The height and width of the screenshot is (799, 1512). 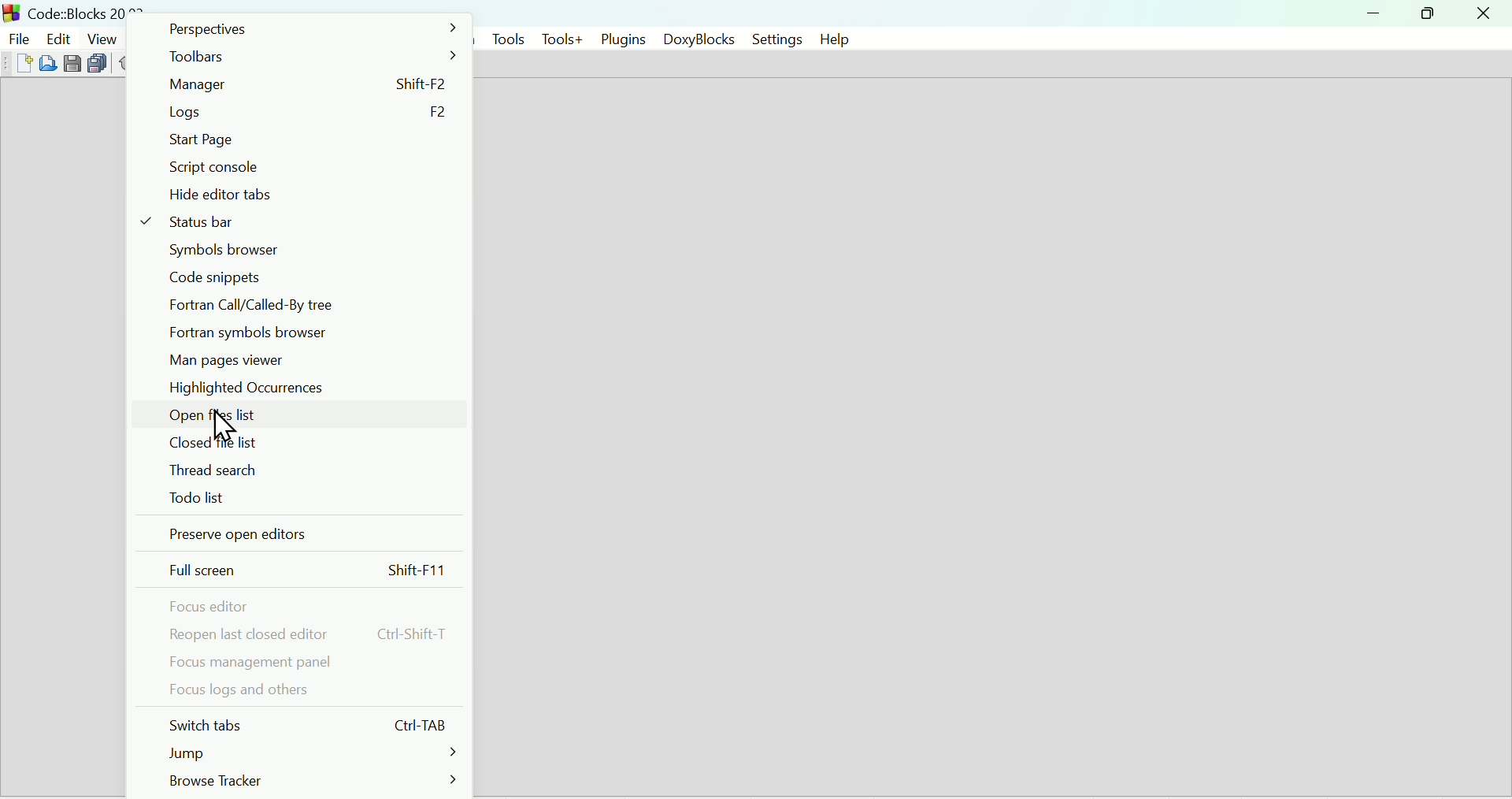 What do you see at coordinates (306, 661) in the screenshot?
I see `Focus management panel` at bounding box center [306, 661].